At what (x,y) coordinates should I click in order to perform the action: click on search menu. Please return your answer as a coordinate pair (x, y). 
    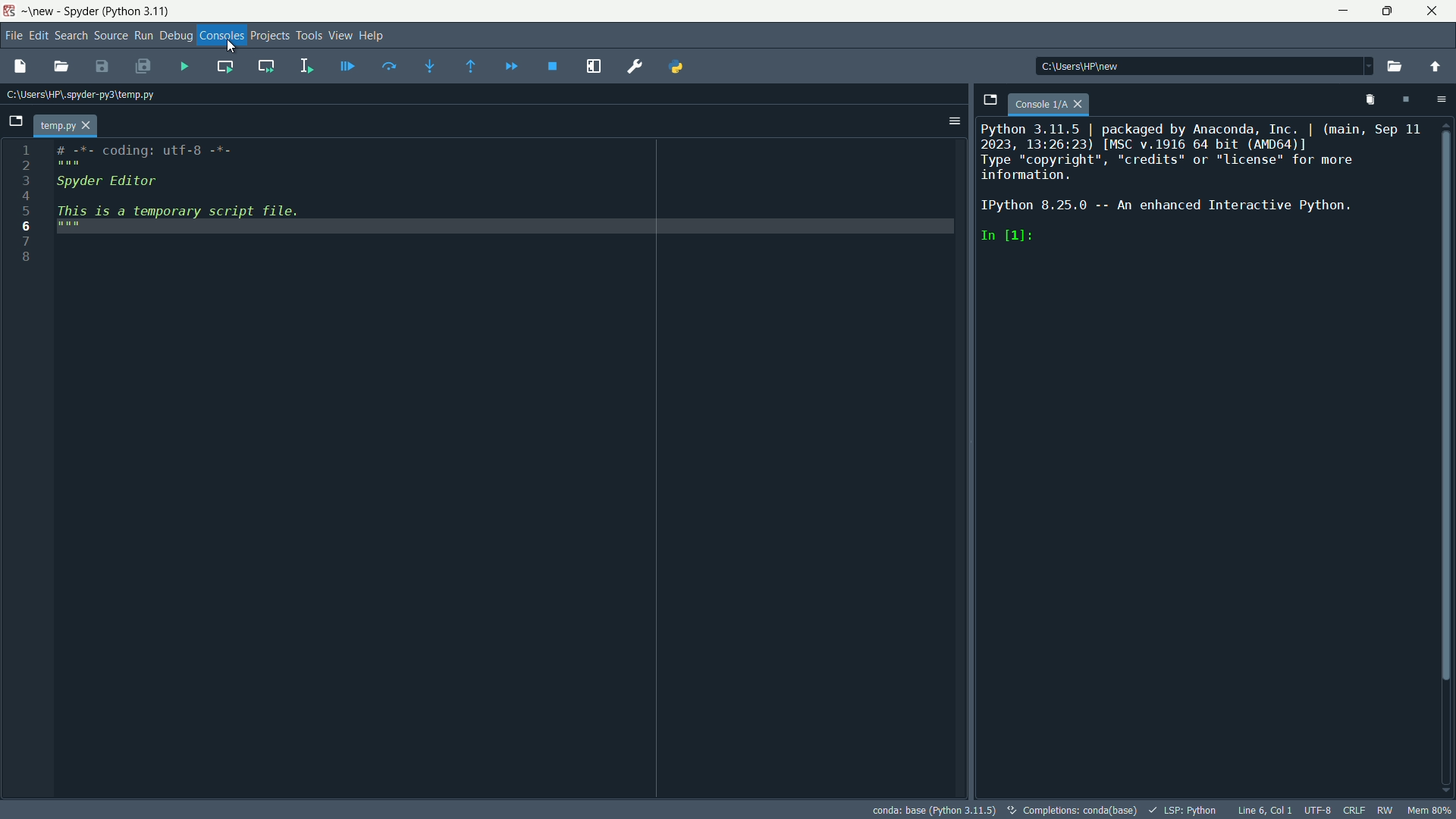
    Looking at the image, I should click on (72, 35).